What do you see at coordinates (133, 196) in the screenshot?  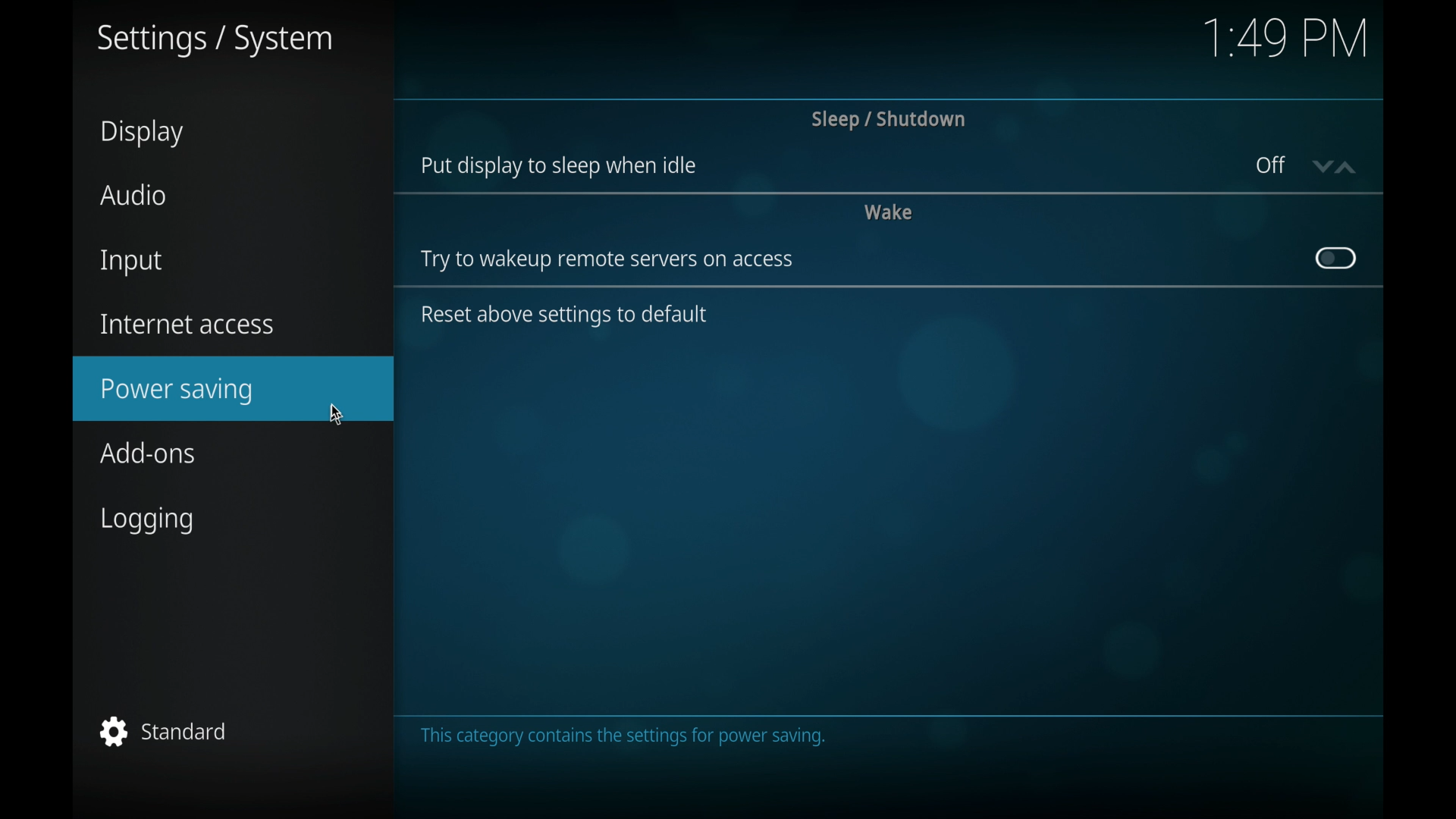 I see `audio` at bounding box center [133, 196].